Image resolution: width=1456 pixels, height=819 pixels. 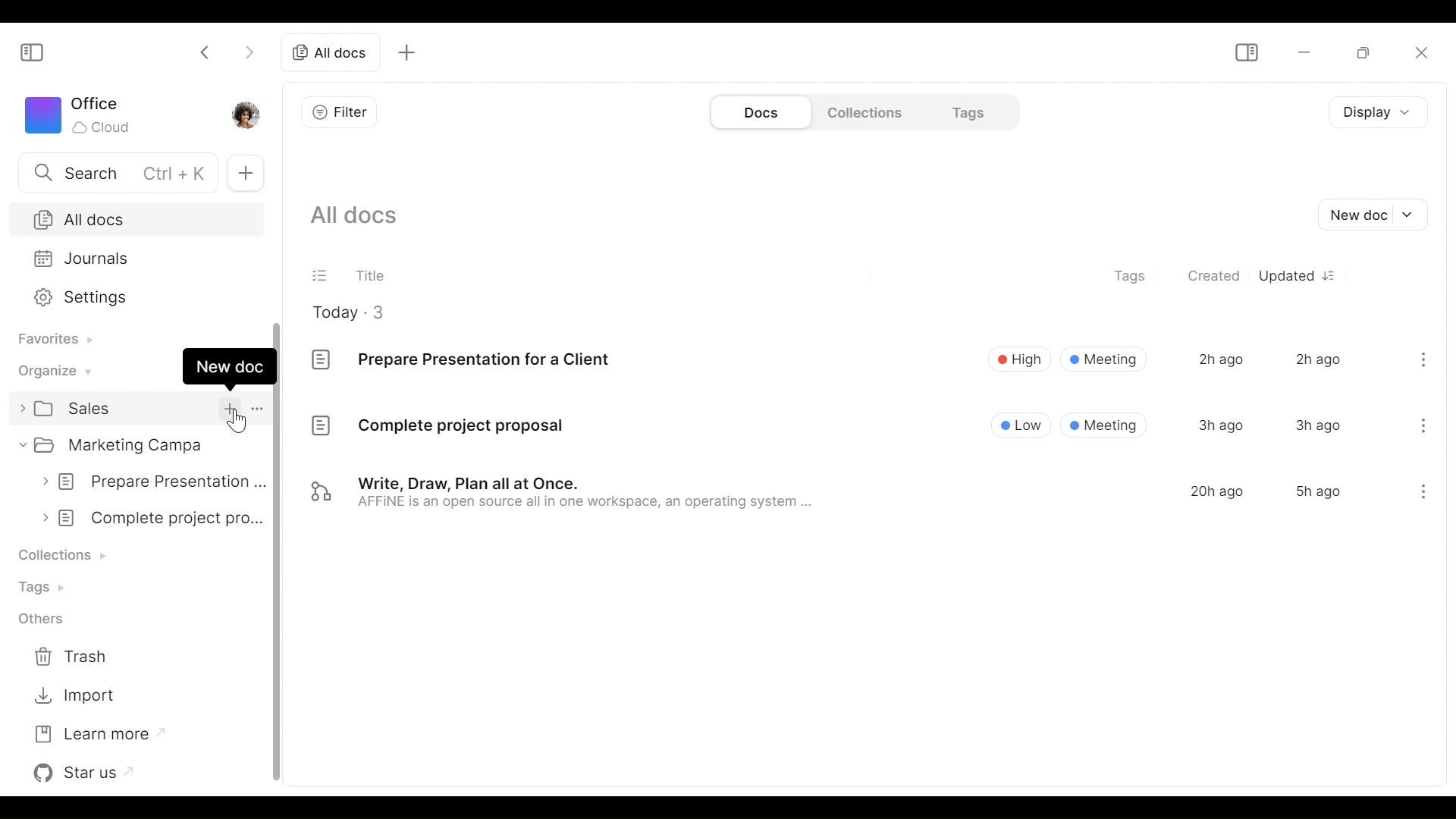 I want to click on 2h ago, so click(x=1219, y=359).